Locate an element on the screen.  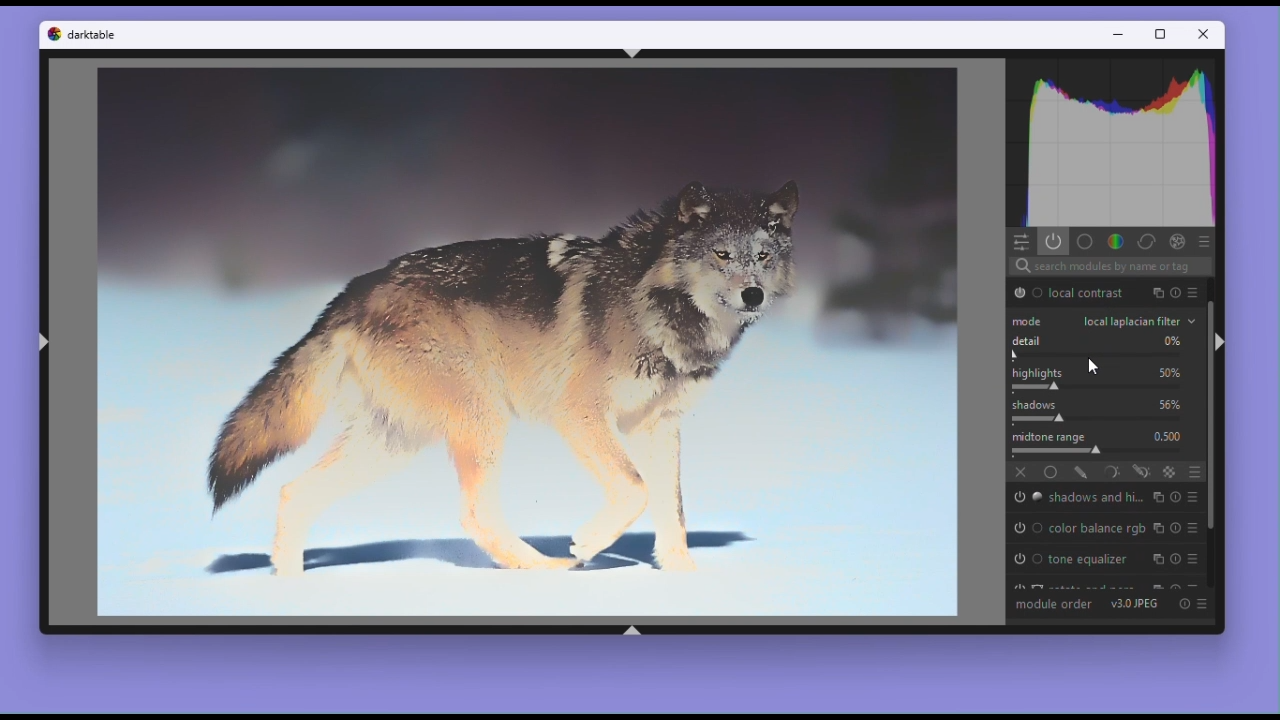
Minimize is located at coordinates (1118, 32).